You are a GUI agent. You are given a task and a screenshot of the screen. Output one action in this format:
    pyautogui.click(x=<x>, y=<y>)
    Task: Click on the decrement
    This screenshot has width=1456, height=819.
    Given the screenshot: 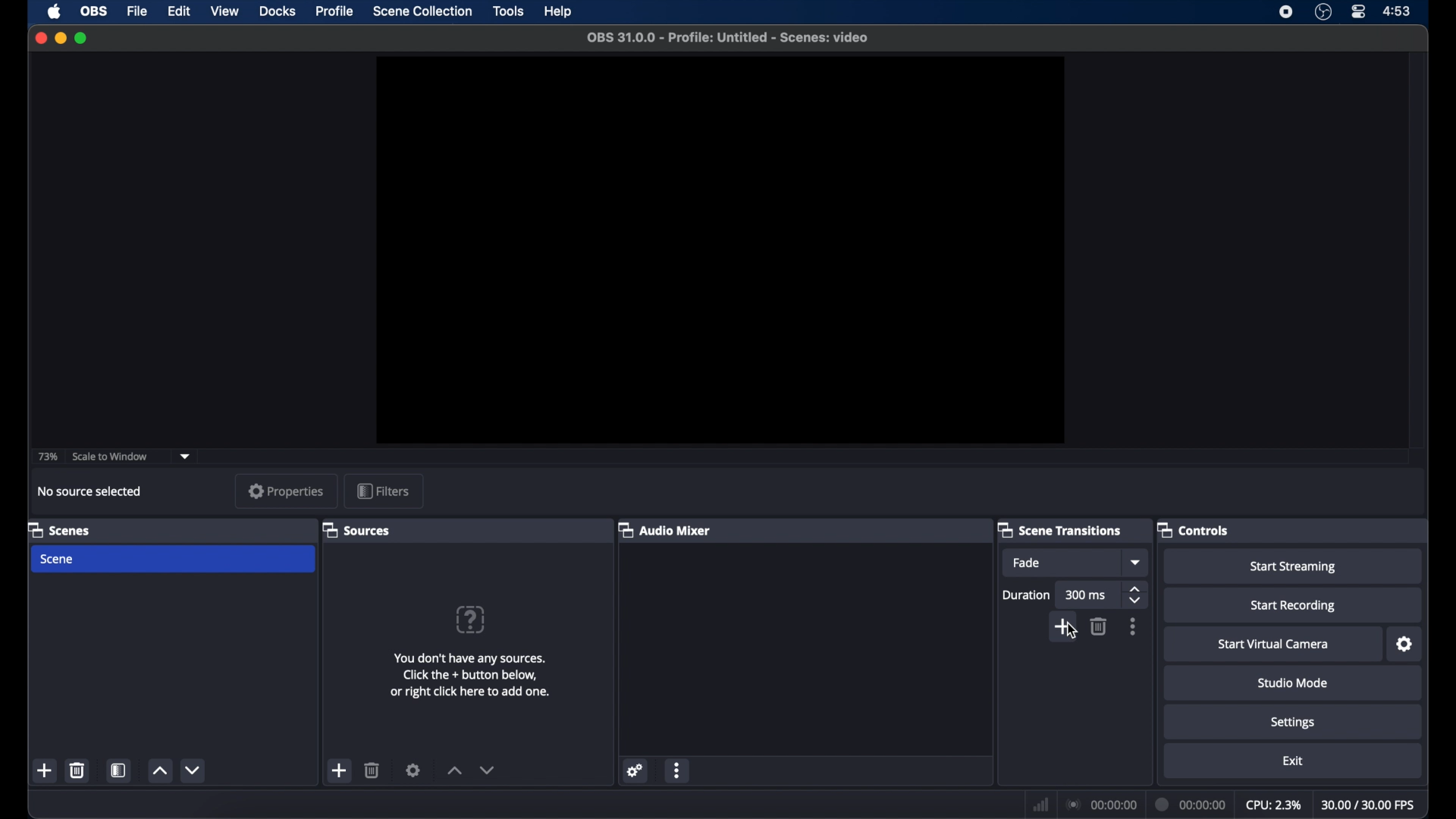 What is the action you would take?
    pyautogui.click(x=487, y=770)
    